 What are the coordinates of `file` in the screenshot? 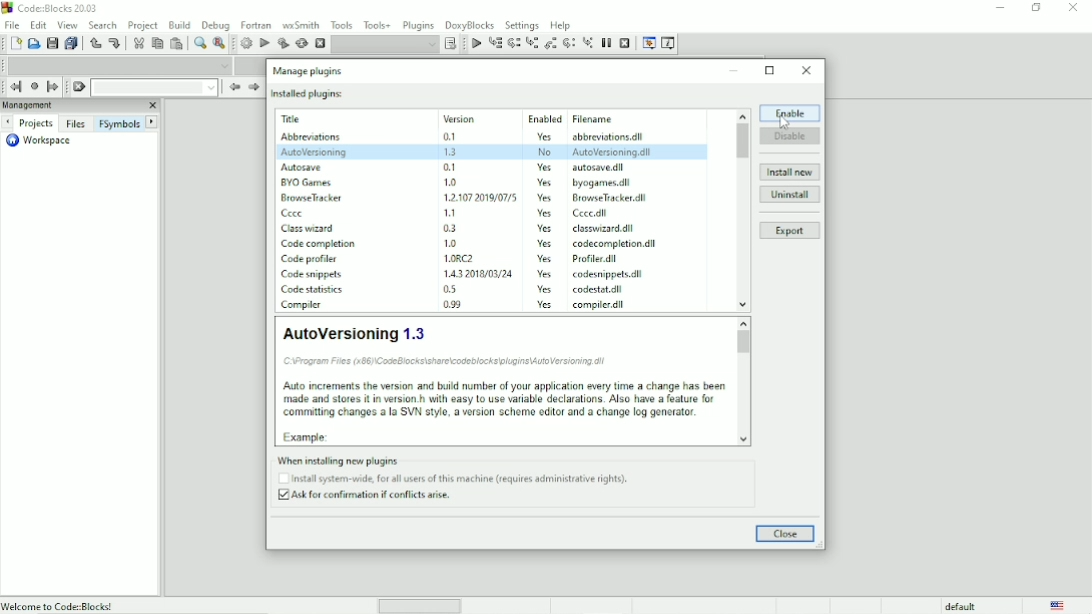 It's located at (603, 228).